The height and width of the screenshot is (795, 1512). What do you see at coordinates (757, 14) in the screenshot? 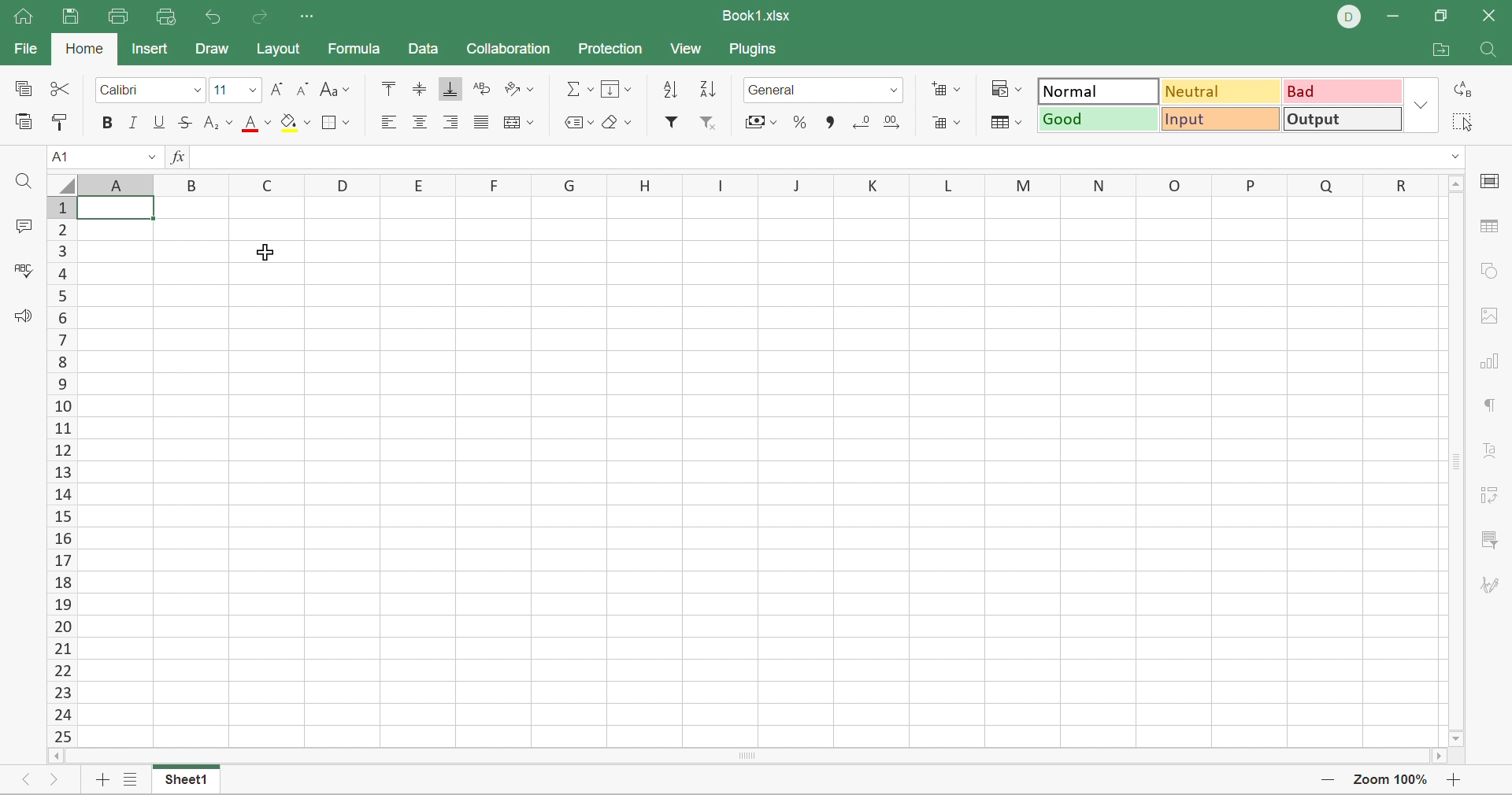
I see `Book1.xlsx` at bounding box center [757, 14].